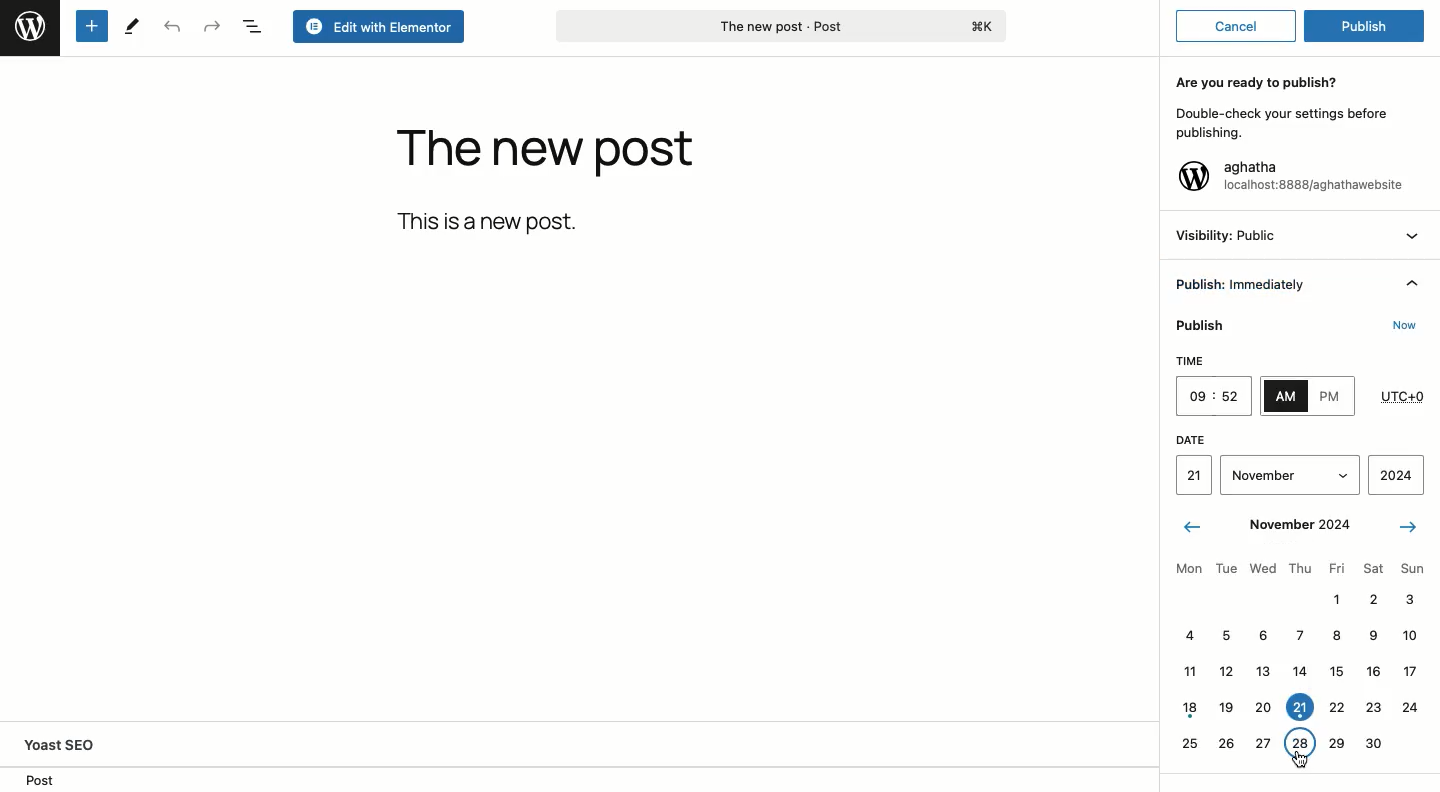 The image size is (1440, 792). Describe the element at coordinates (1190, 708) in the screenshot. I see `18` at that location.